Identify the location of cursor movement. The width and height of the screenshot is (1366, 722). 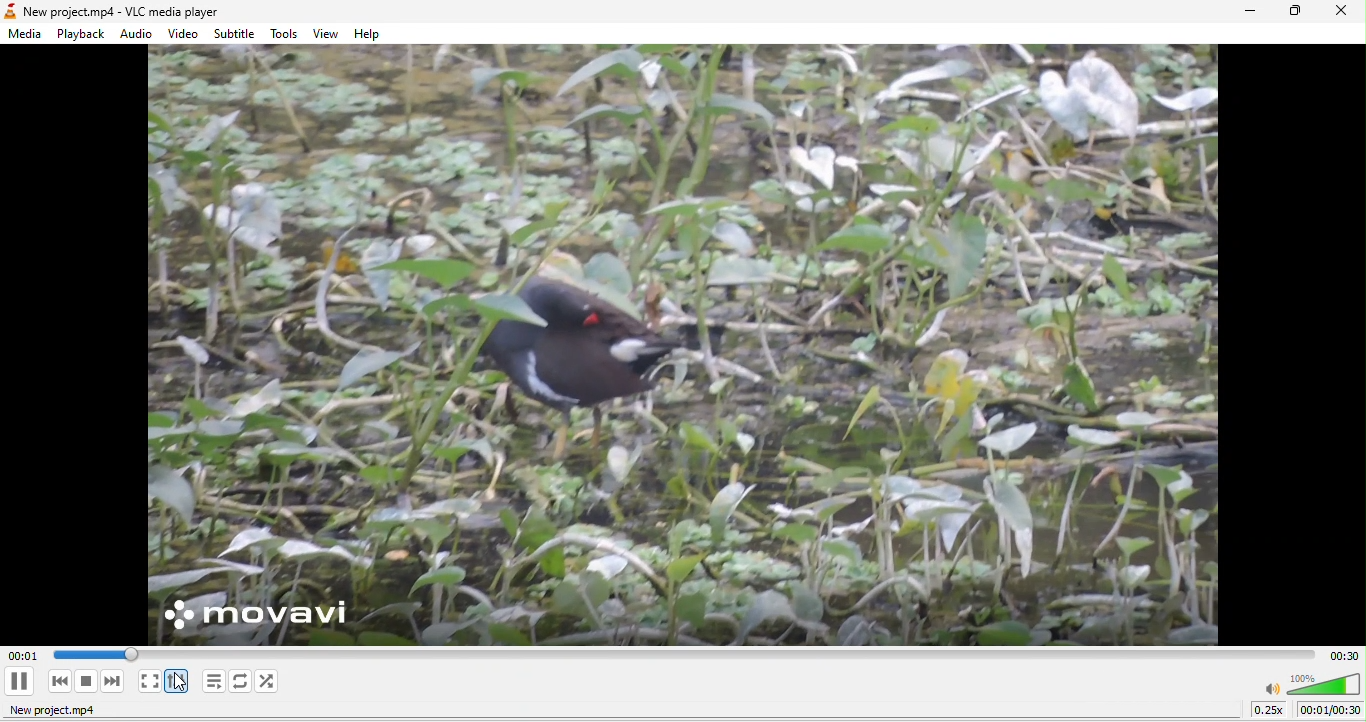
(185, 681).